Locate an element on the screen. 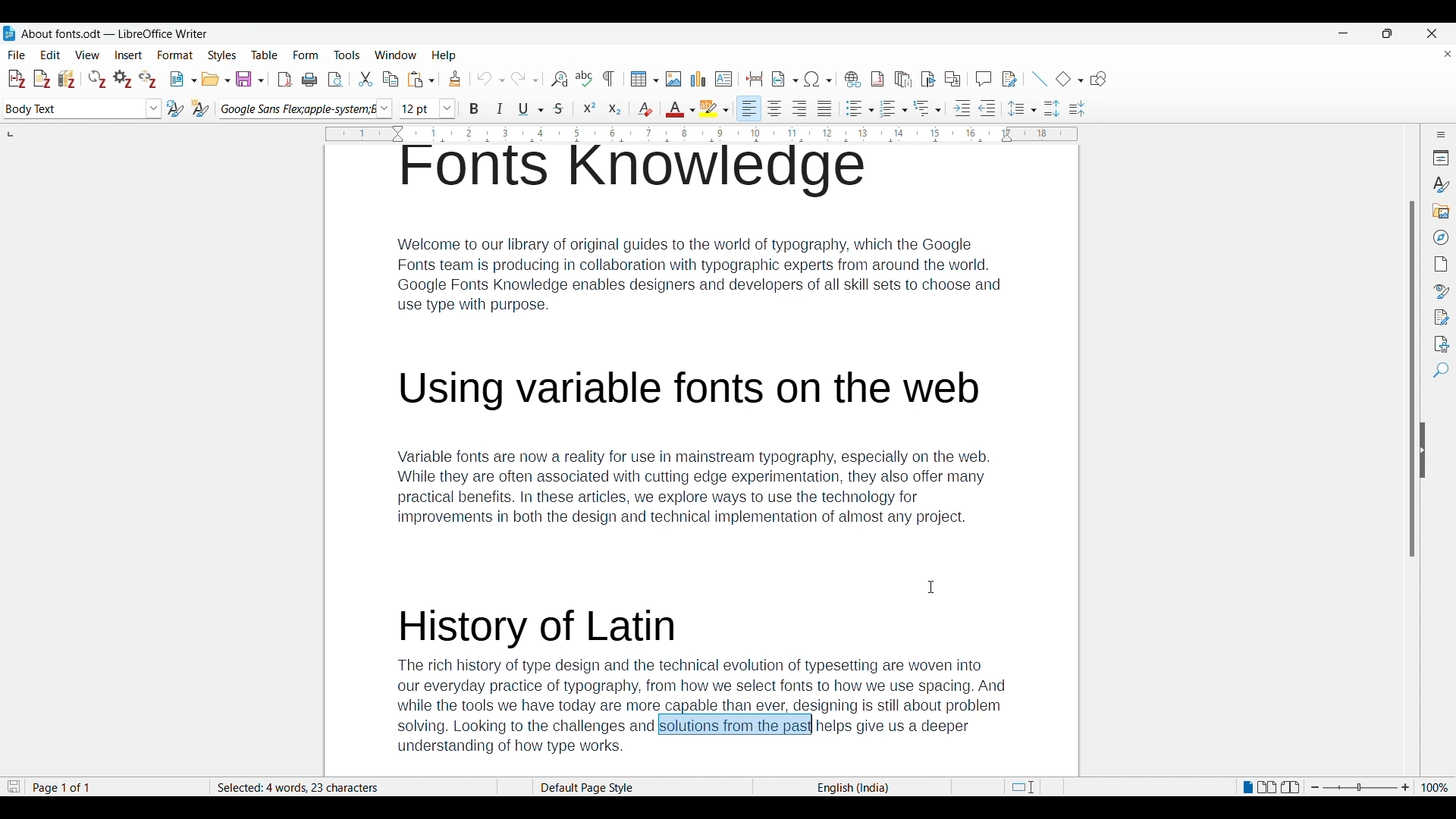  Add/Edit note is located at coordinates (42, 79).